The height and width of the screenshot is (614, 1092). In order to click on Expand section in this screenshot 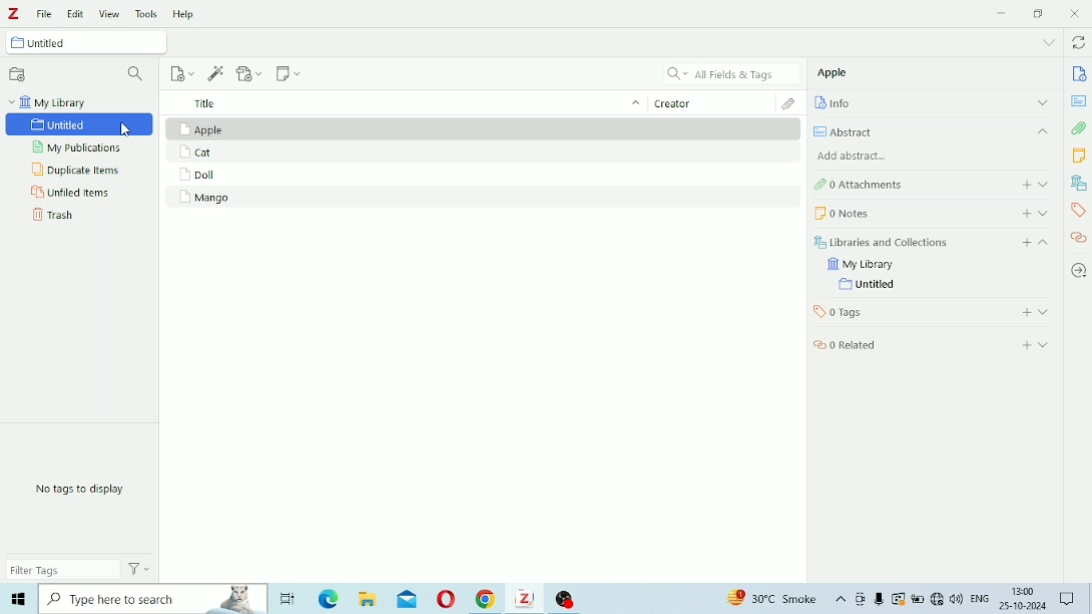, I will do `click(1043, 345)`.